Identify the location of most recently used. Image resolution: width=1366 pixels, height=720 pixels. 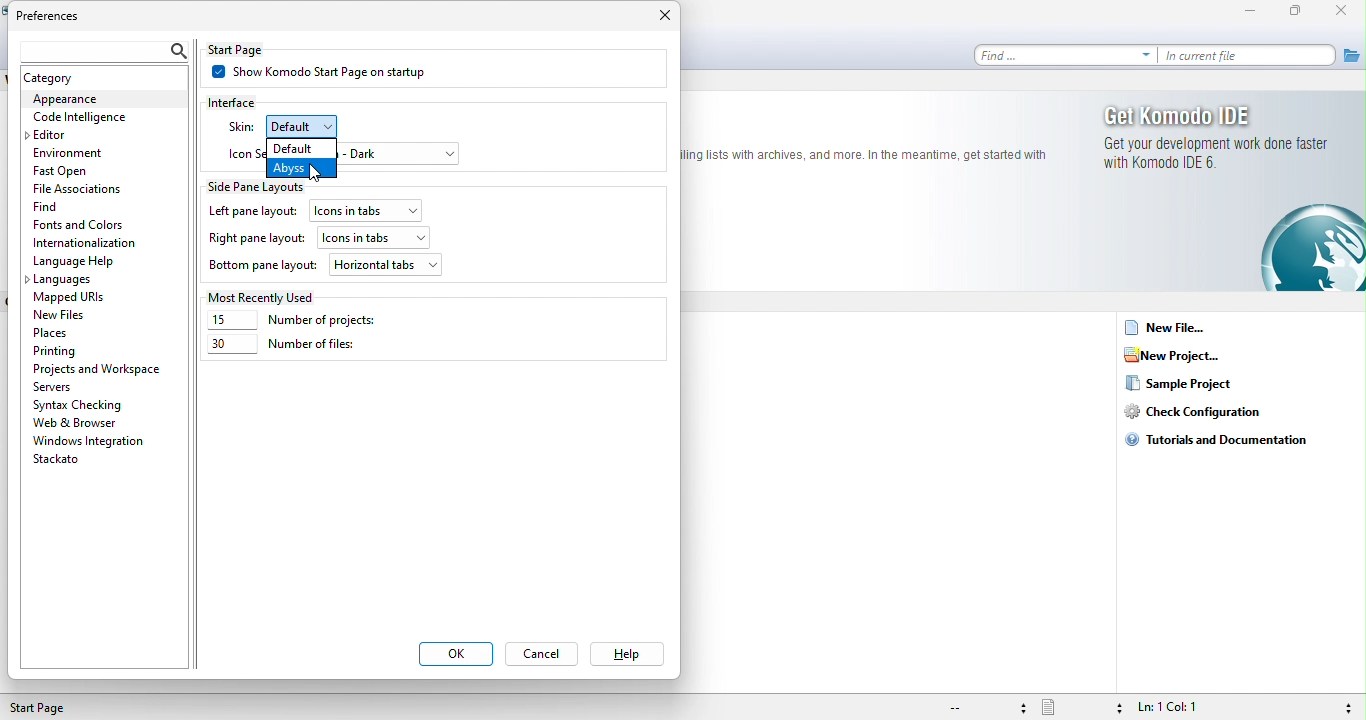
(266, 296).